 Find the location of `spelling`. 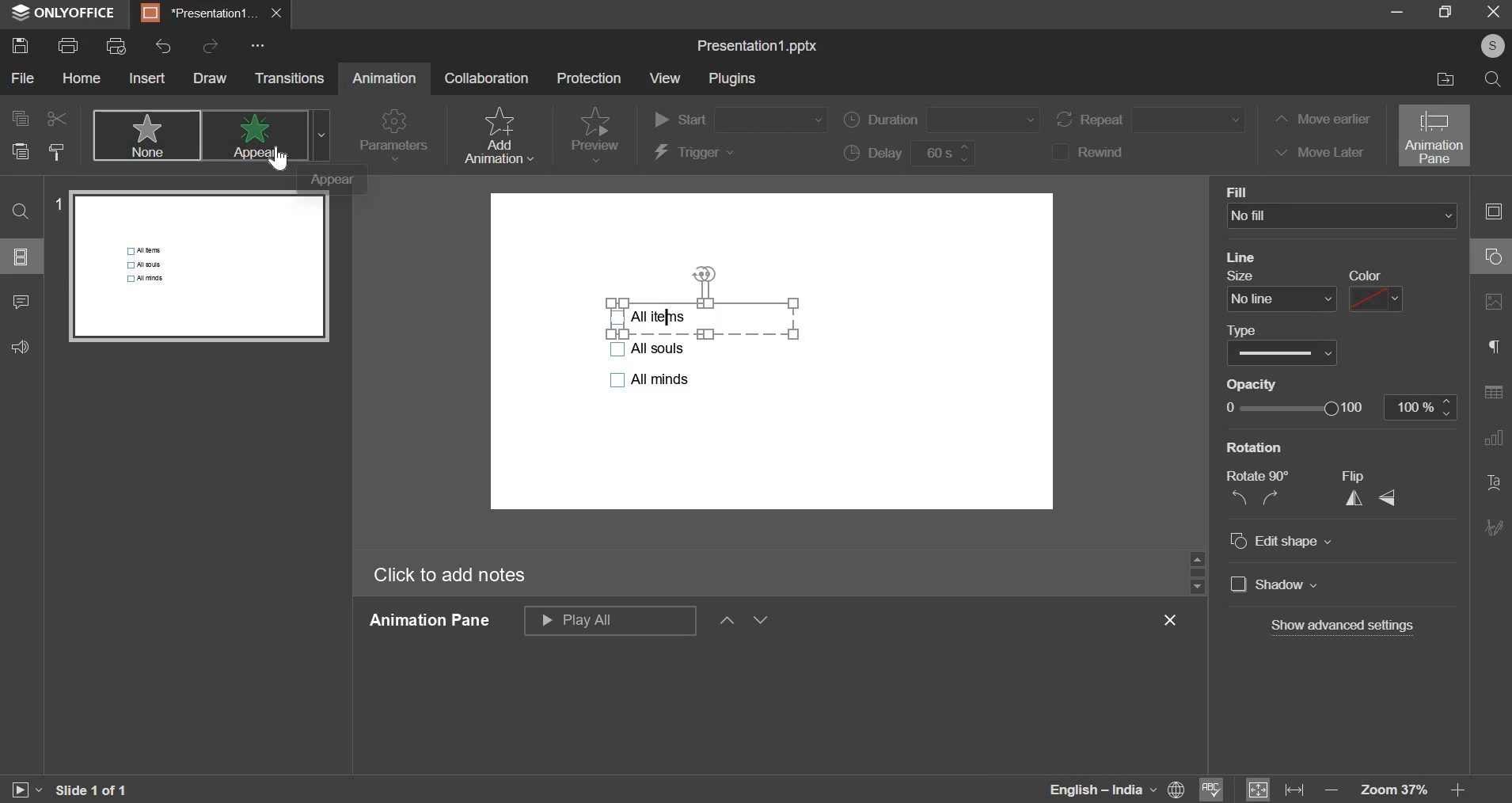

spelling is located at coordinates (1212, 787).